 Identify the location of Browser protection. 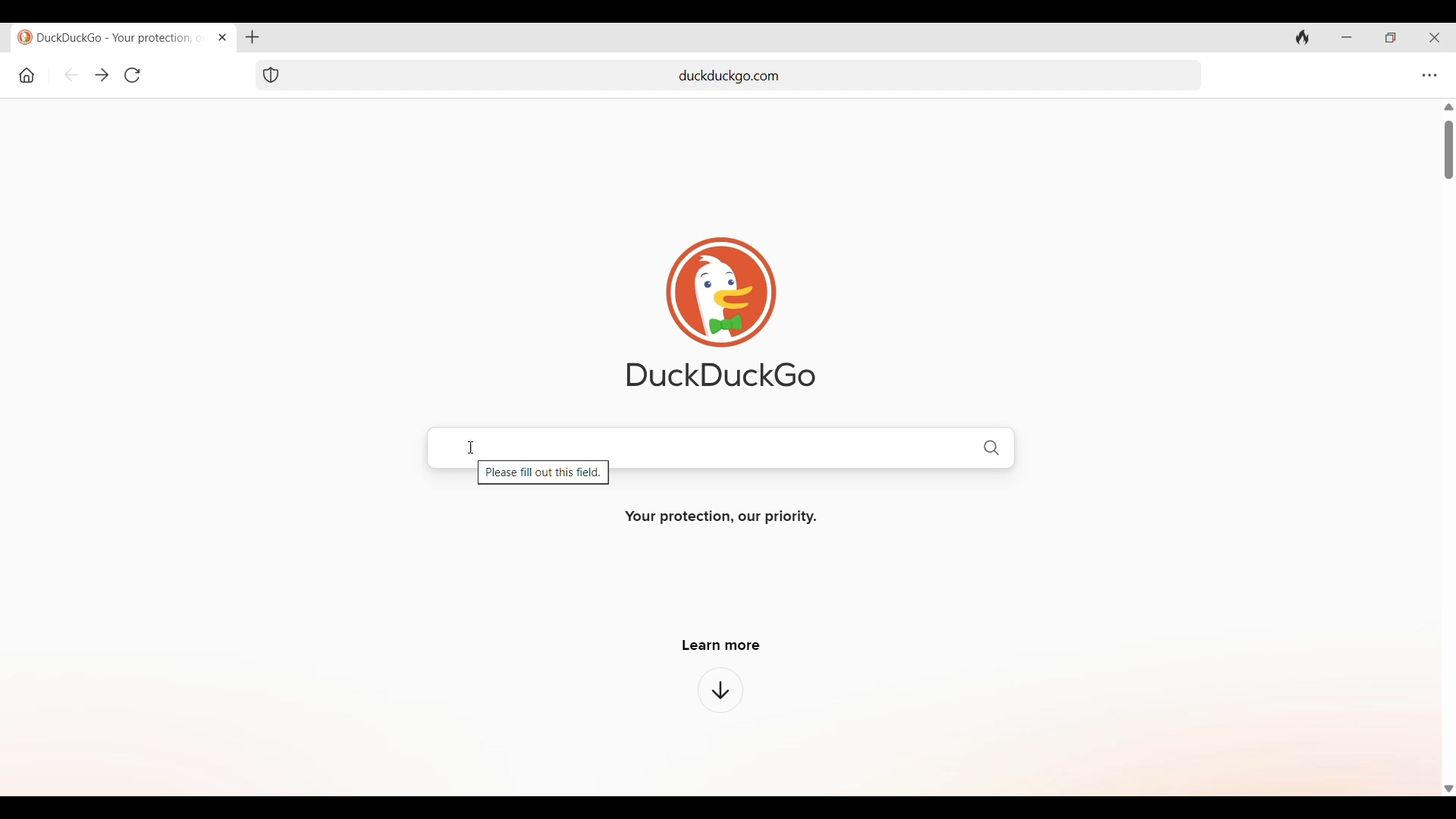
(270, 75).